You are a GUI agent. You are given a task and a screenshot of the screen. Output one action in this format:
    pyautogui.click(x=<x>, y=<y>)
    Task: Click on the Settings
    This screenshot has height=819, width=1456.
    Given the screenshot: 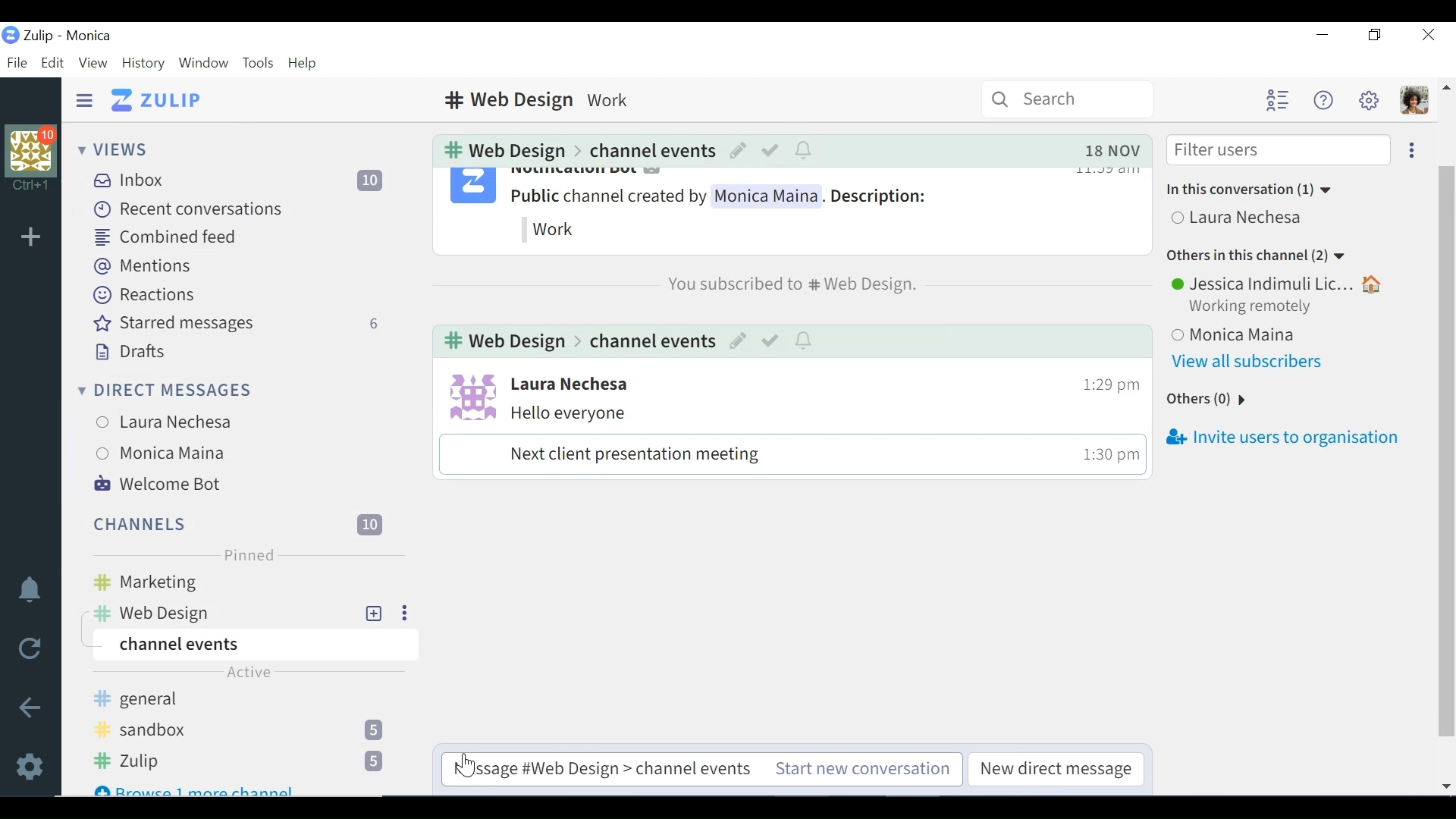 What is the action you would take?
    pyautogui.click(x=33, y=764)
    